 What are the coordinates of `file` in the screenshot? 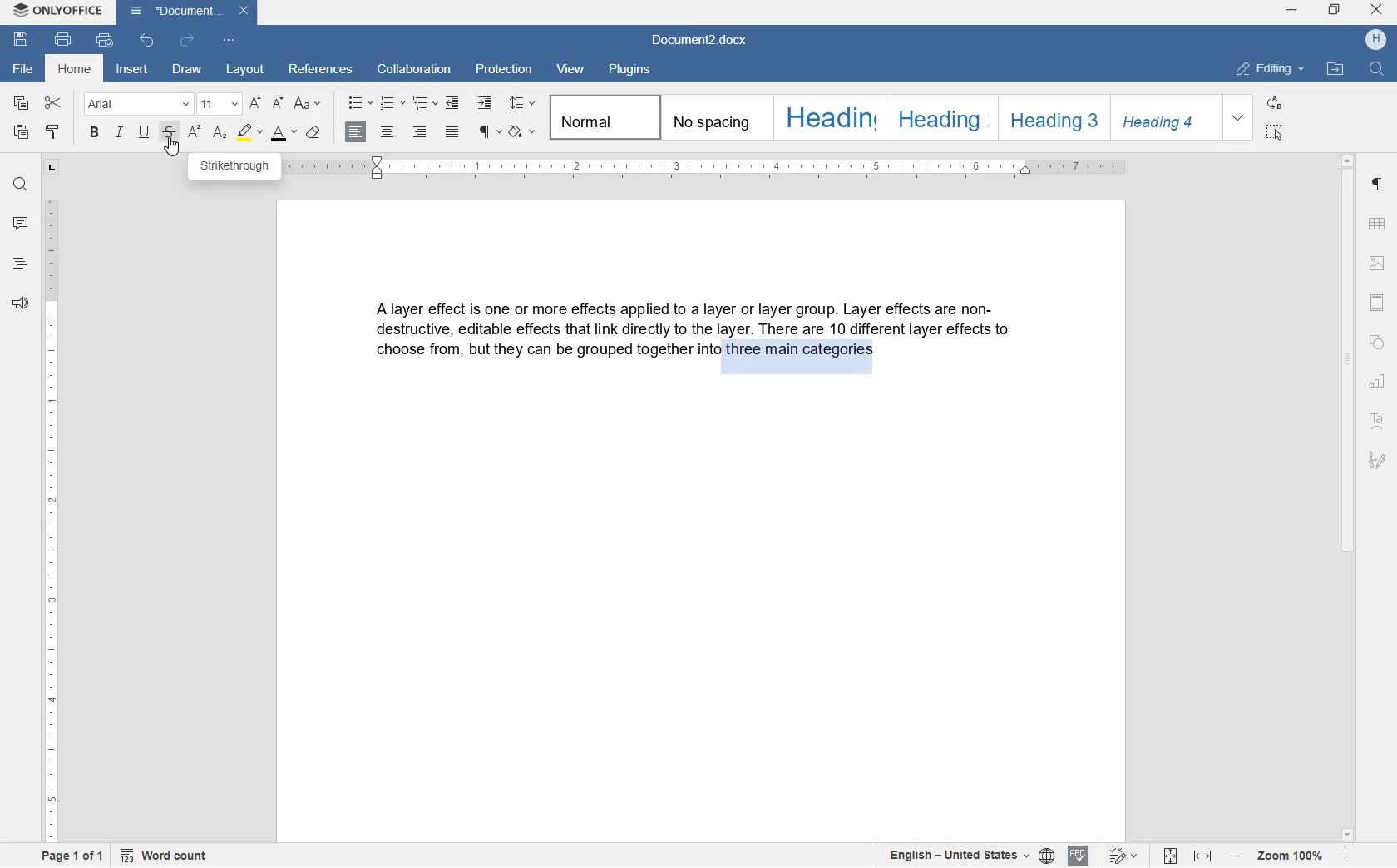 It's located at (21, 69).